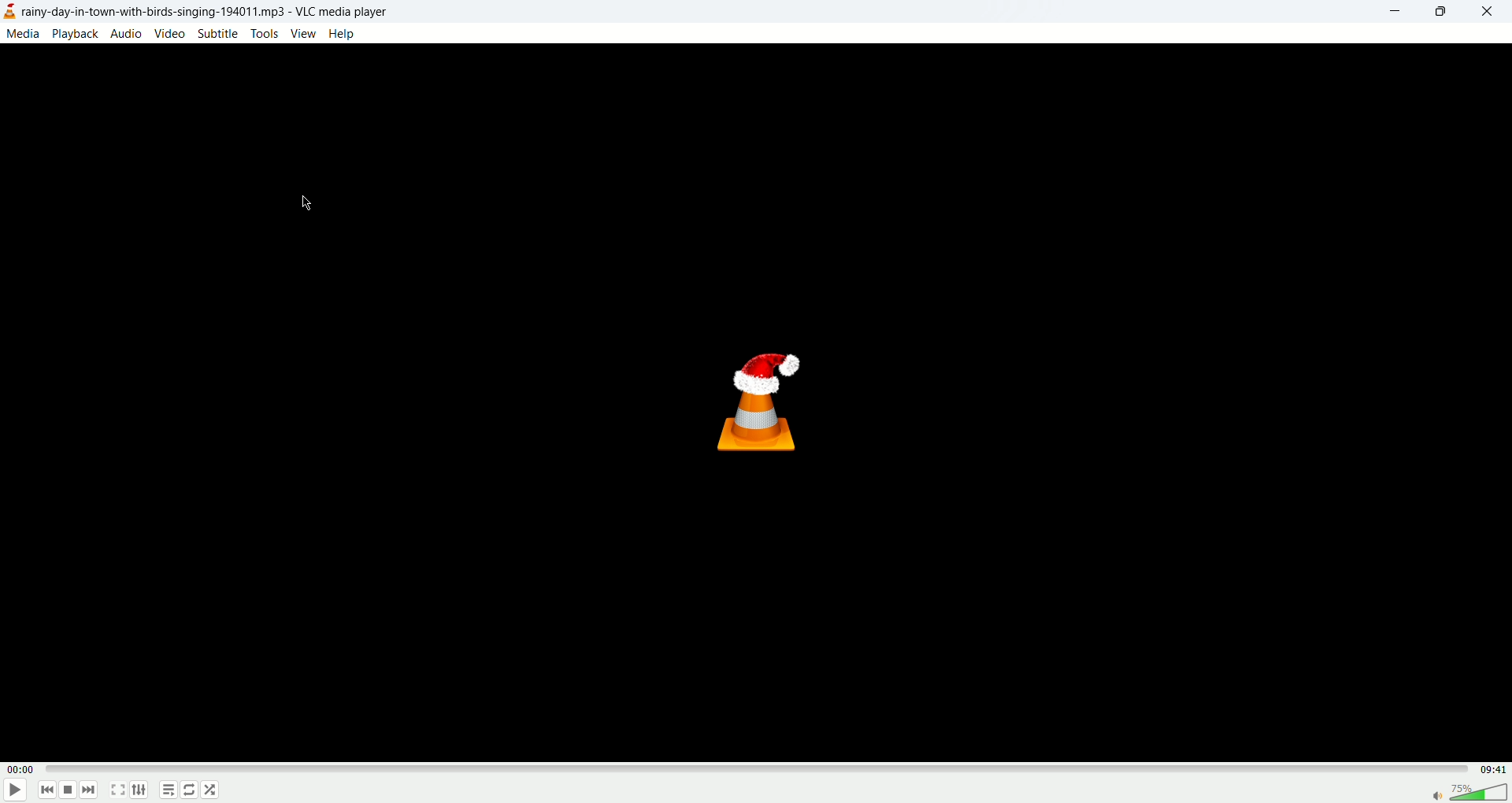 This screenshot has height=803, width=1512. Describe the element at coordinates (303, 33) in the screenshot. I see `view` at that location.